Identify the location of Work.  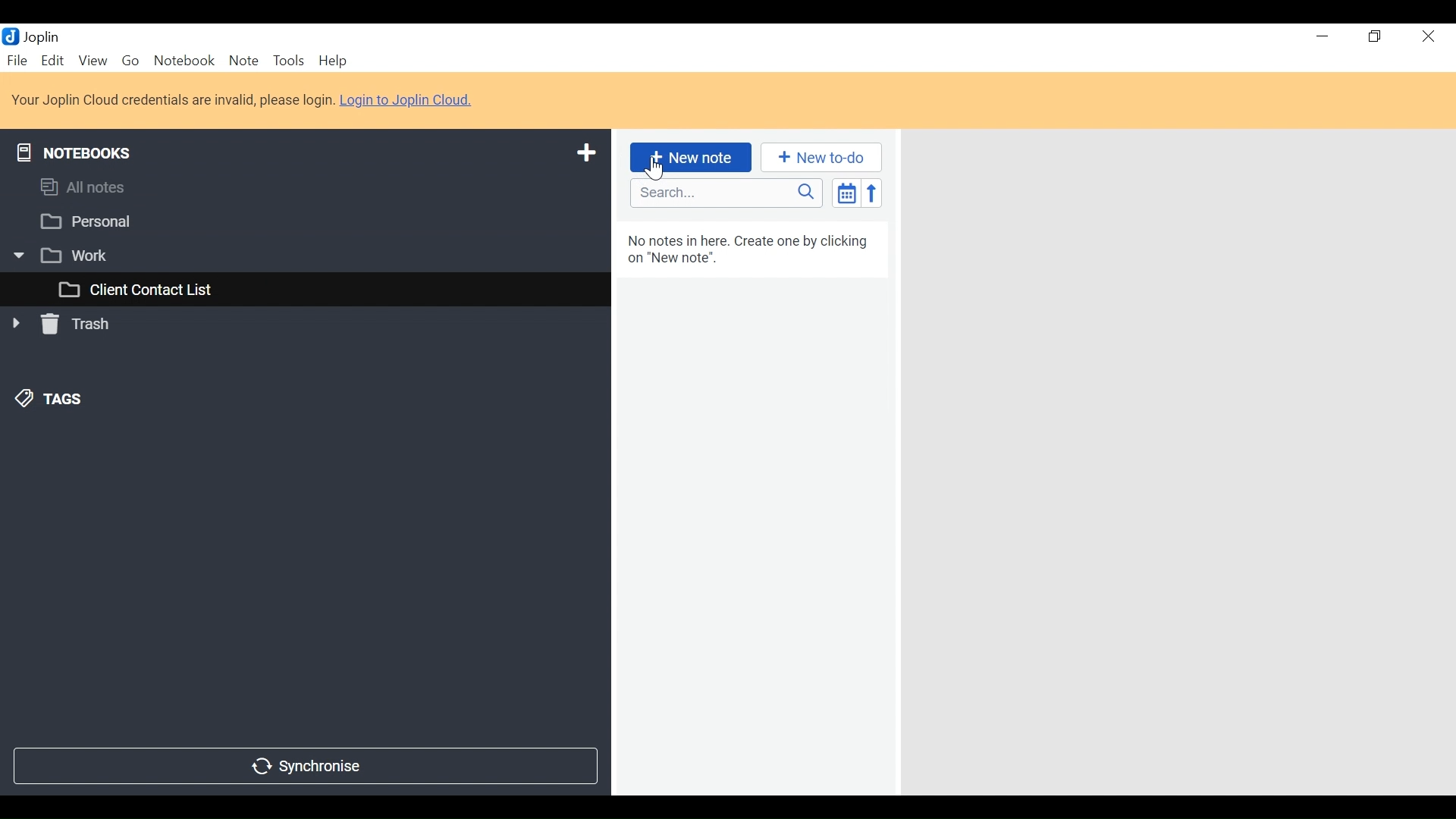
(296, 255).